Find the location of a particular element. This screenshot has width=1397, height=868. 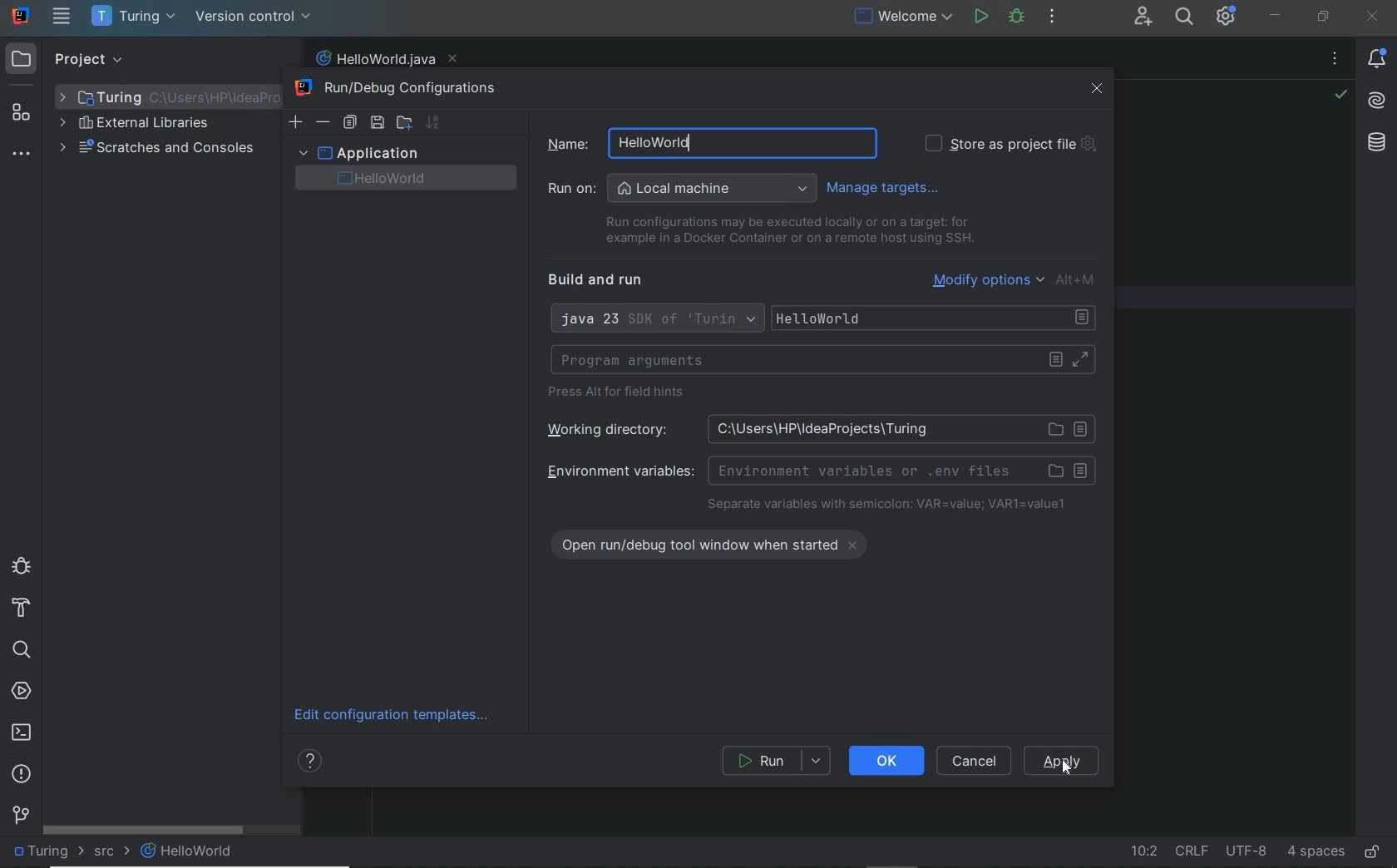

APPLICATION is located at coordinates (358, 152).